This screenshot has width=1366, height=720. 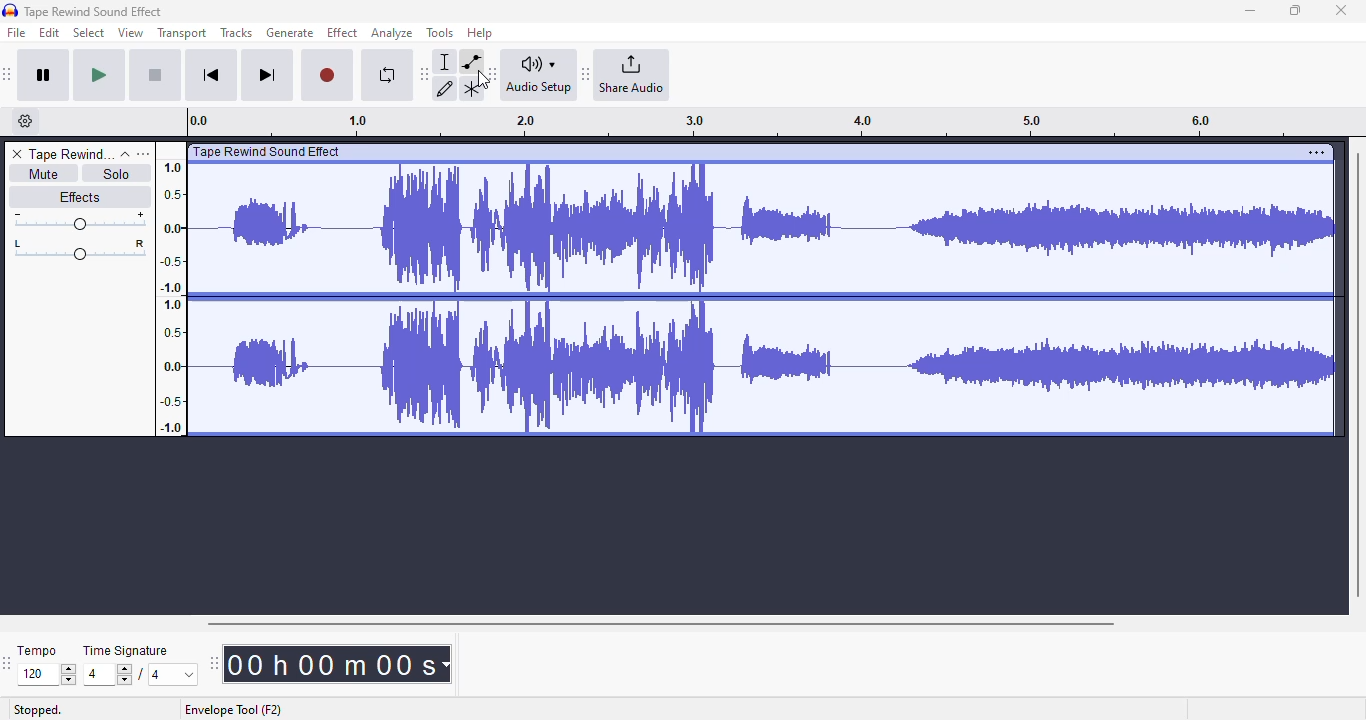 What do you see at coordinates (210, 77) in the screenshot?
I see `skip to start` at bounding box center [210, 77].